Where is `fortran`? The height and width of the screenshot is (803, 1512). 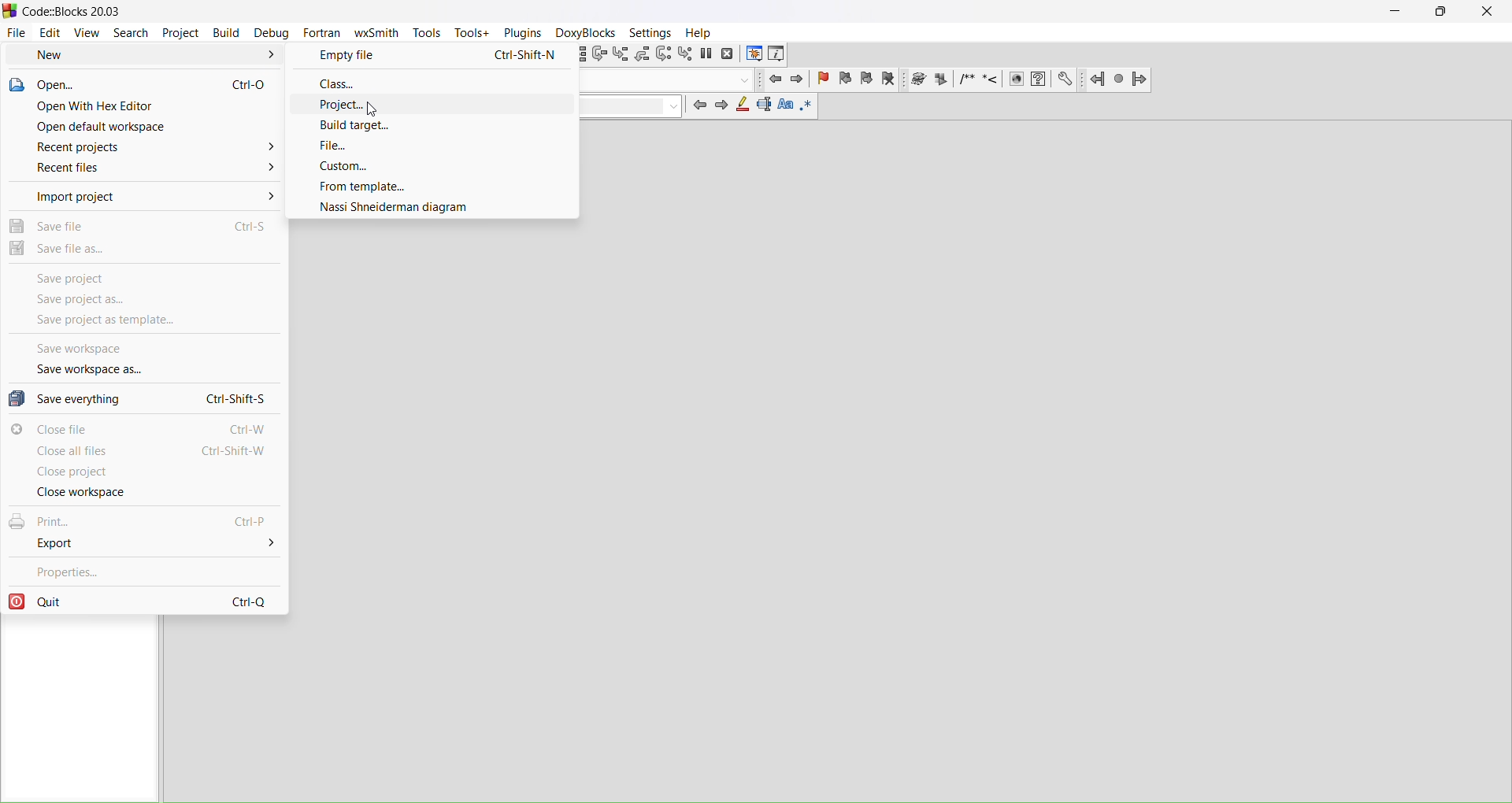
fortran is located at coordinates (321, 34).